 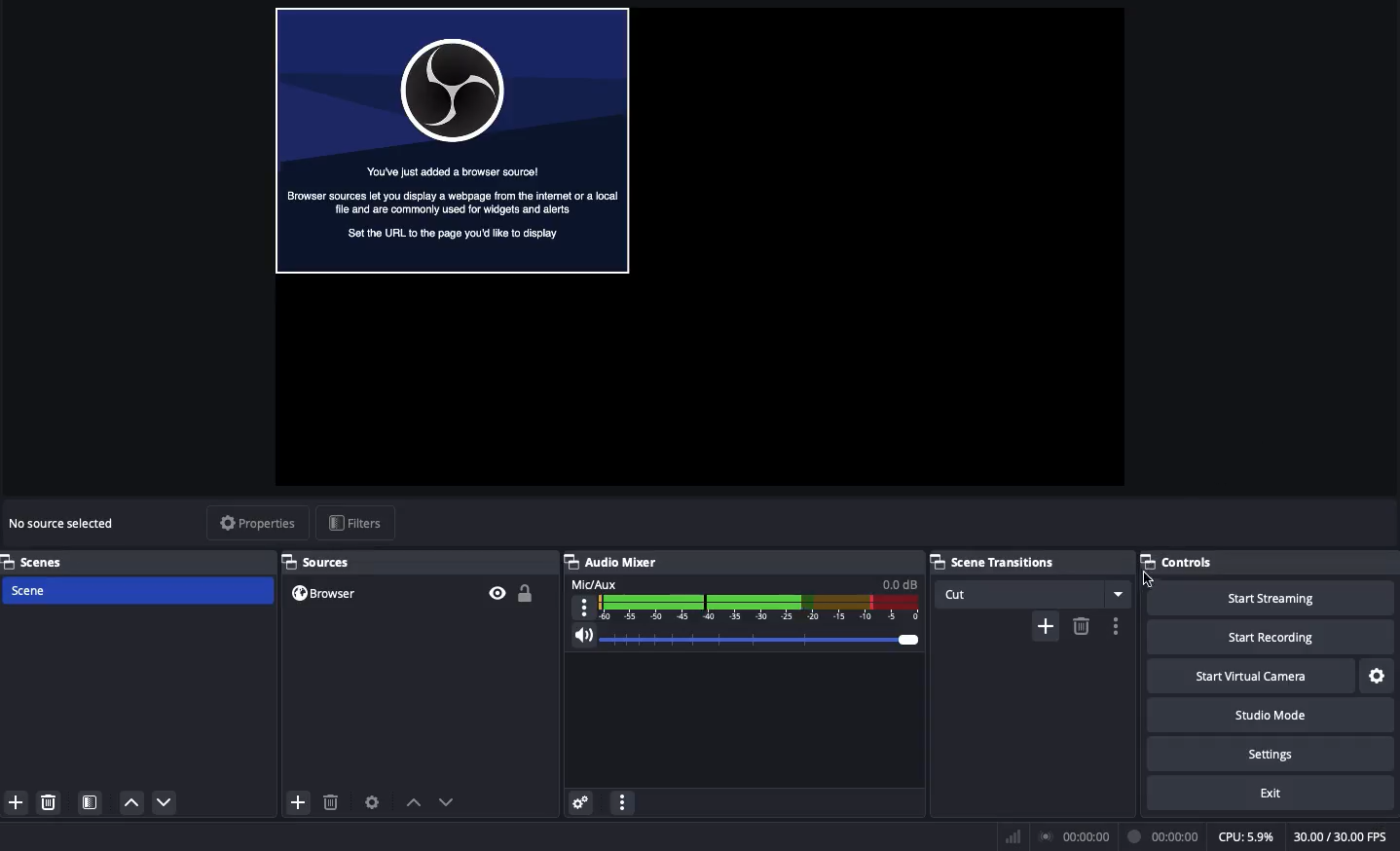 What do you see at coordinates (1248, 678) in the screenshot?
I see `Start virtual camera` at bounding box center [1248, 678].